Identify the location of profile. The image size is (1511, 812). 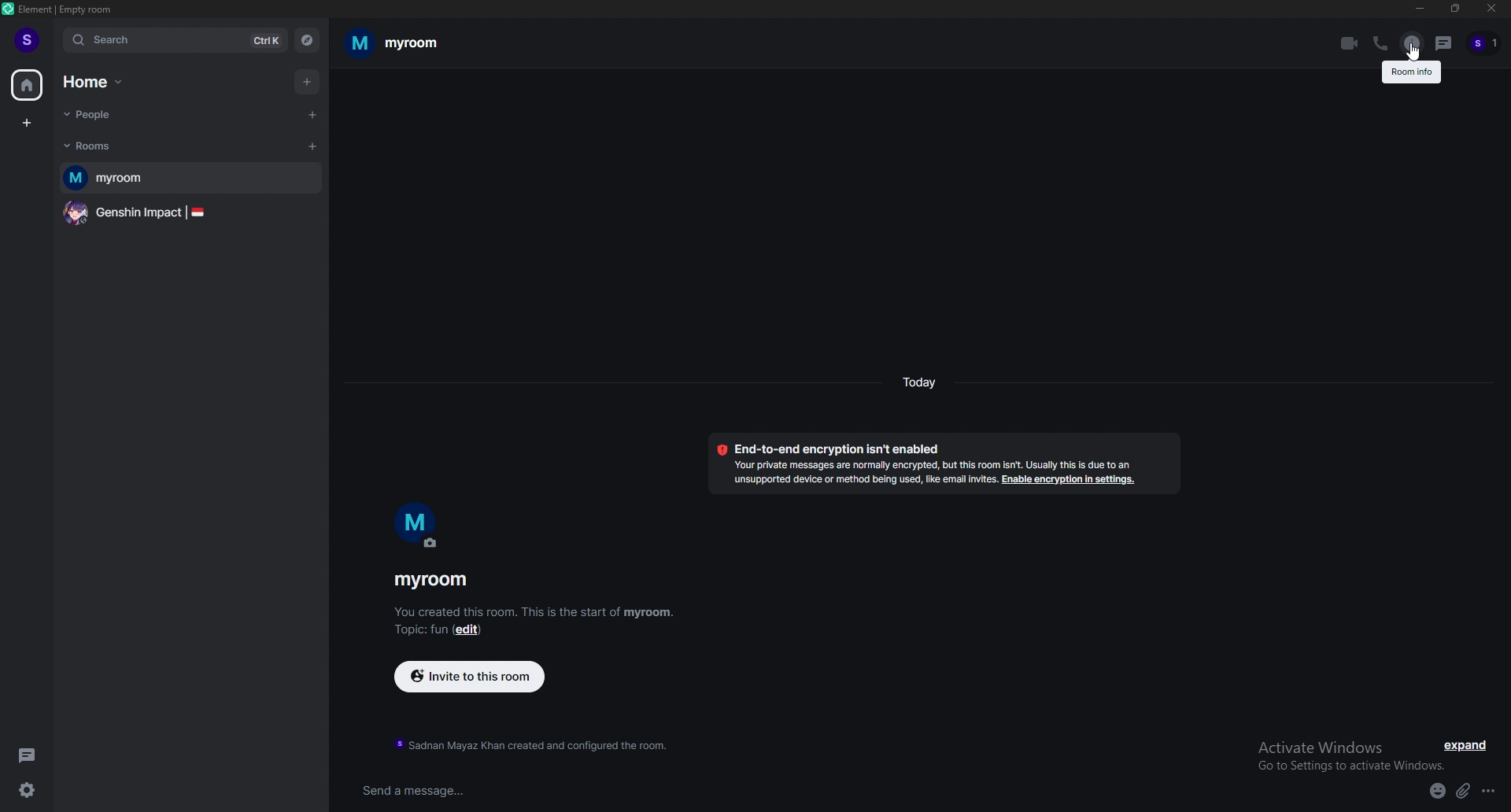
(23, 35).